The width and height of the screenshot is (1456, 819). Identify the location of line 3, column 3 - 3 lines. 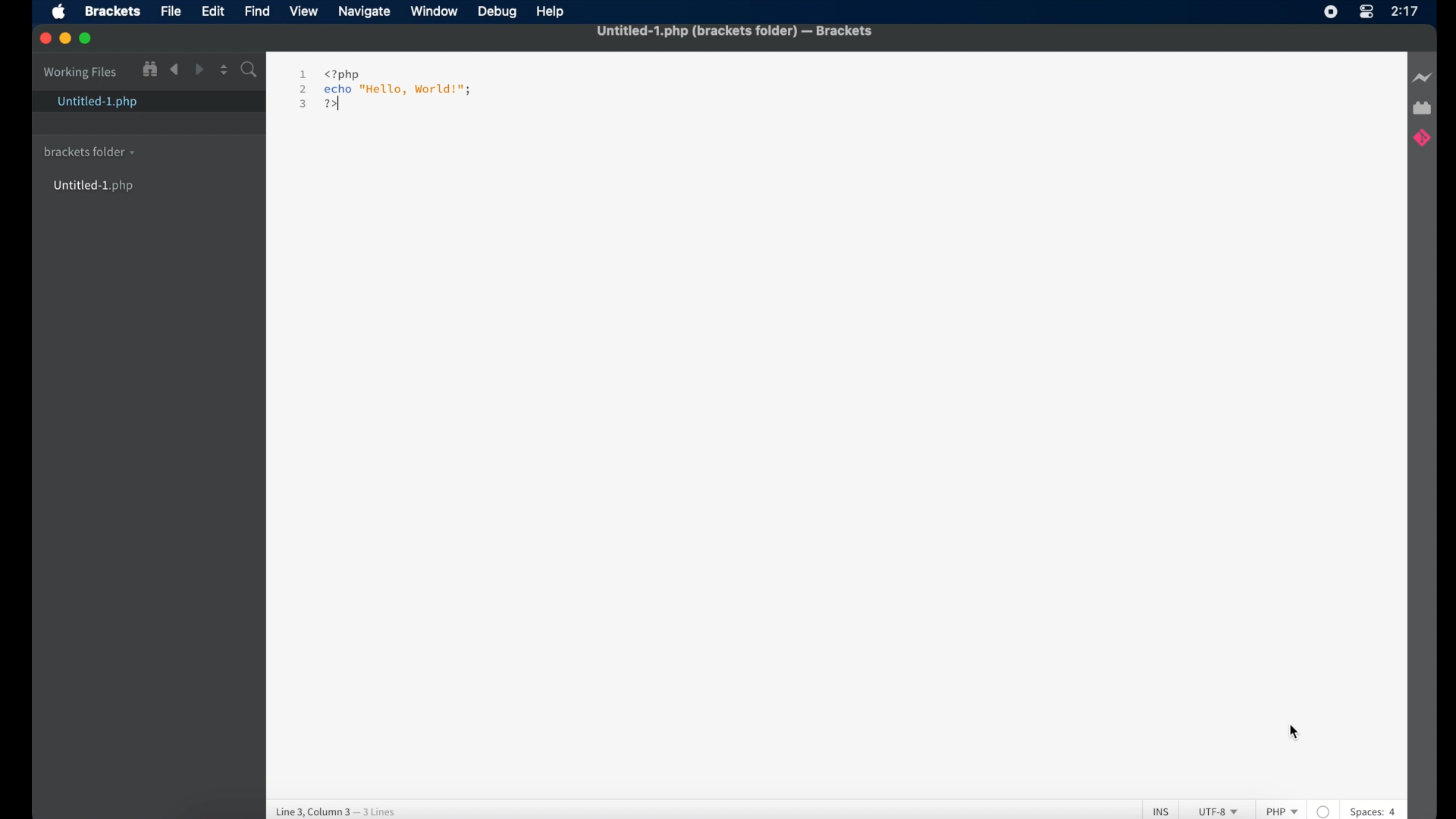
(340, 809).